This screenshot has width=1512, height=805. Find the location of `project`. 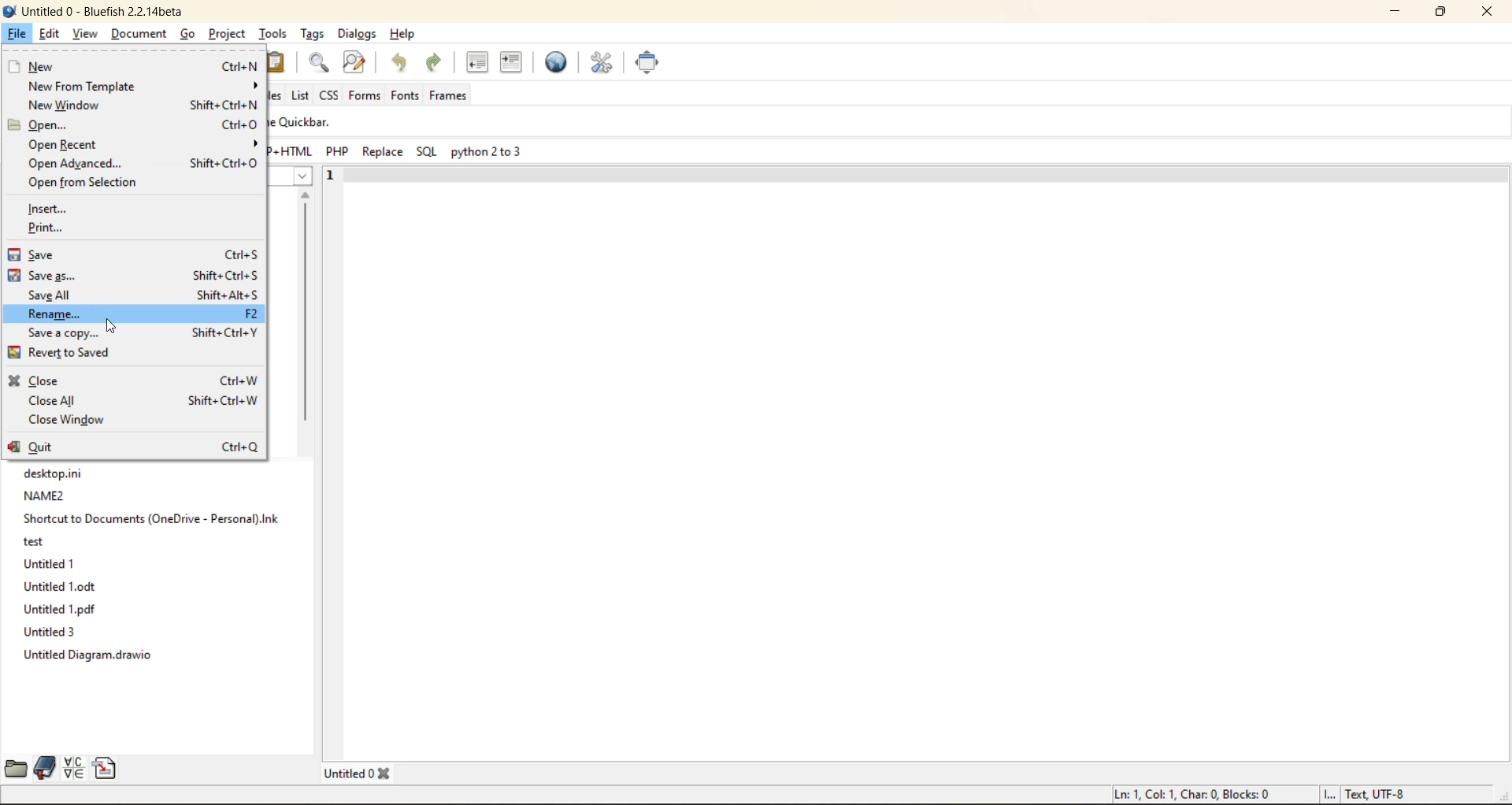

project is located at coordinates (230, 35).